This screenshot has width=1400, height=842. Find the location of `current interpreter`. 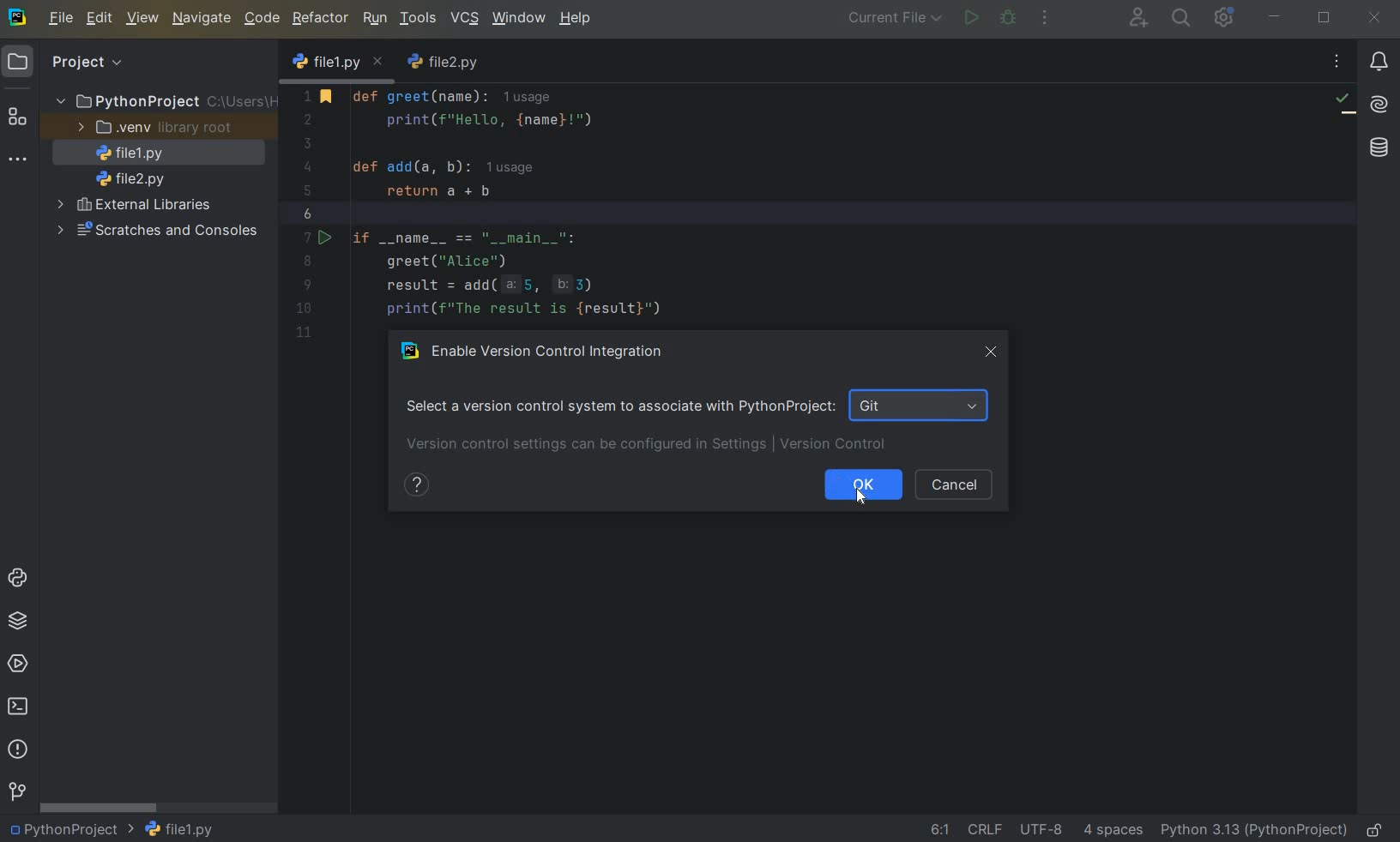

current interpreter is located at coordinates (1253, 830).